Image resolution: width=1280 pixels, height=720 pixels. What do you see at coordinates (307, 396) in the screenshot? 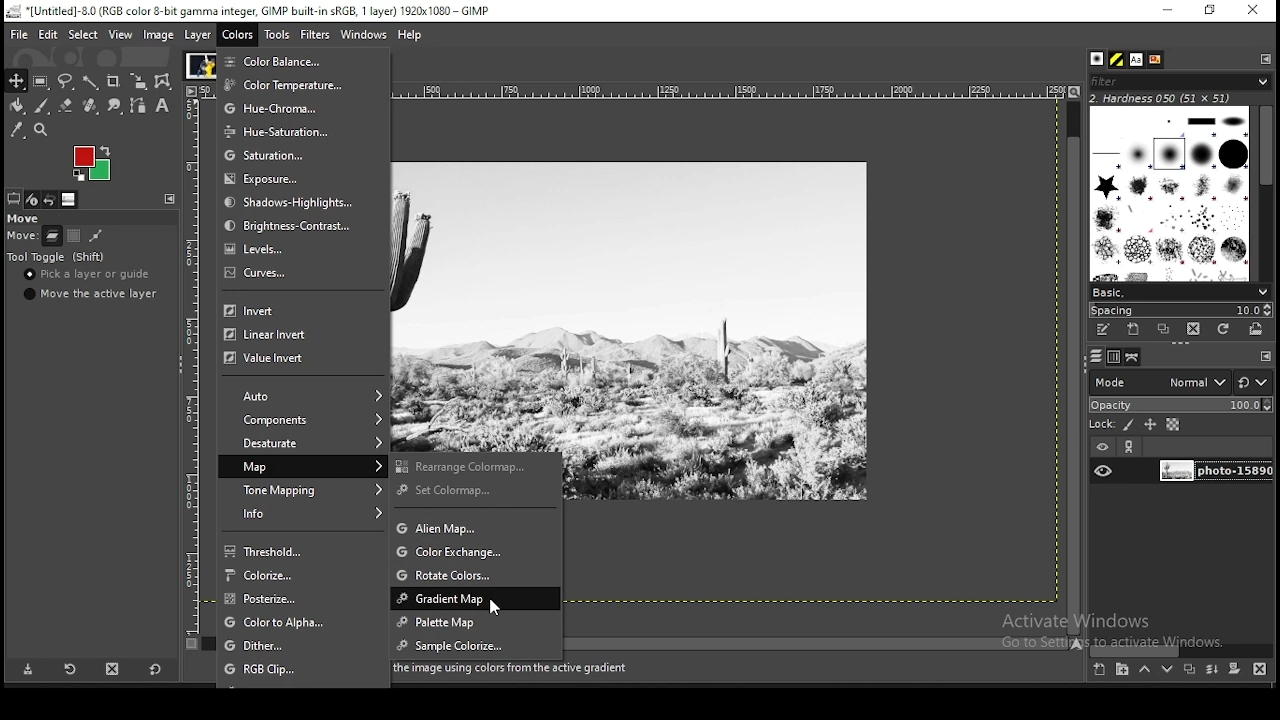
I see `auto` at bounding box center [307, 396].